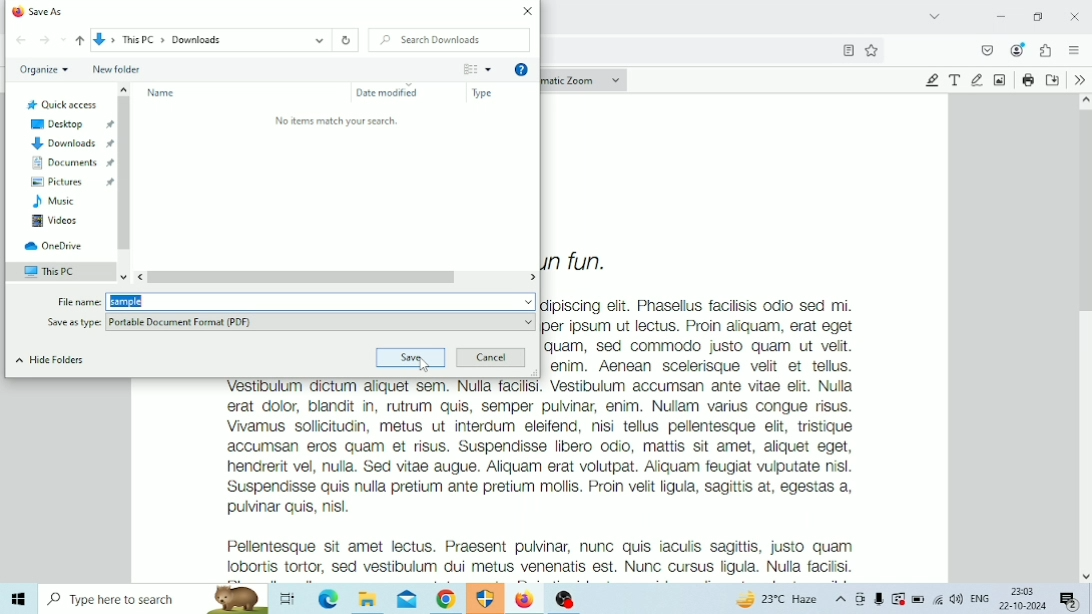 The image size is (1092, 614). I want to click on No items match your search, so click(336, 120).